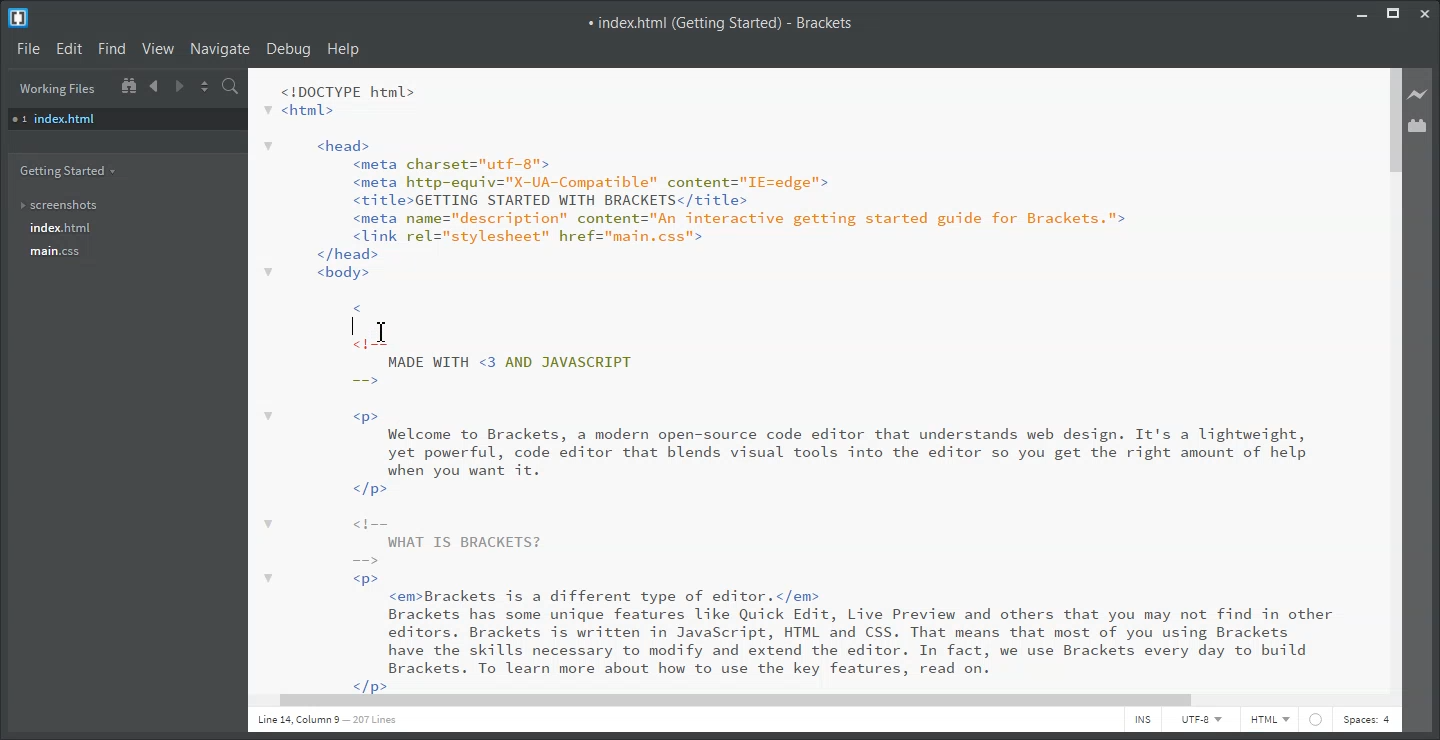 The width and height of the screenshot is (1440, 740). Describe the element at coordinates (344, 49) in the screenshot. I see `Help` at that location.